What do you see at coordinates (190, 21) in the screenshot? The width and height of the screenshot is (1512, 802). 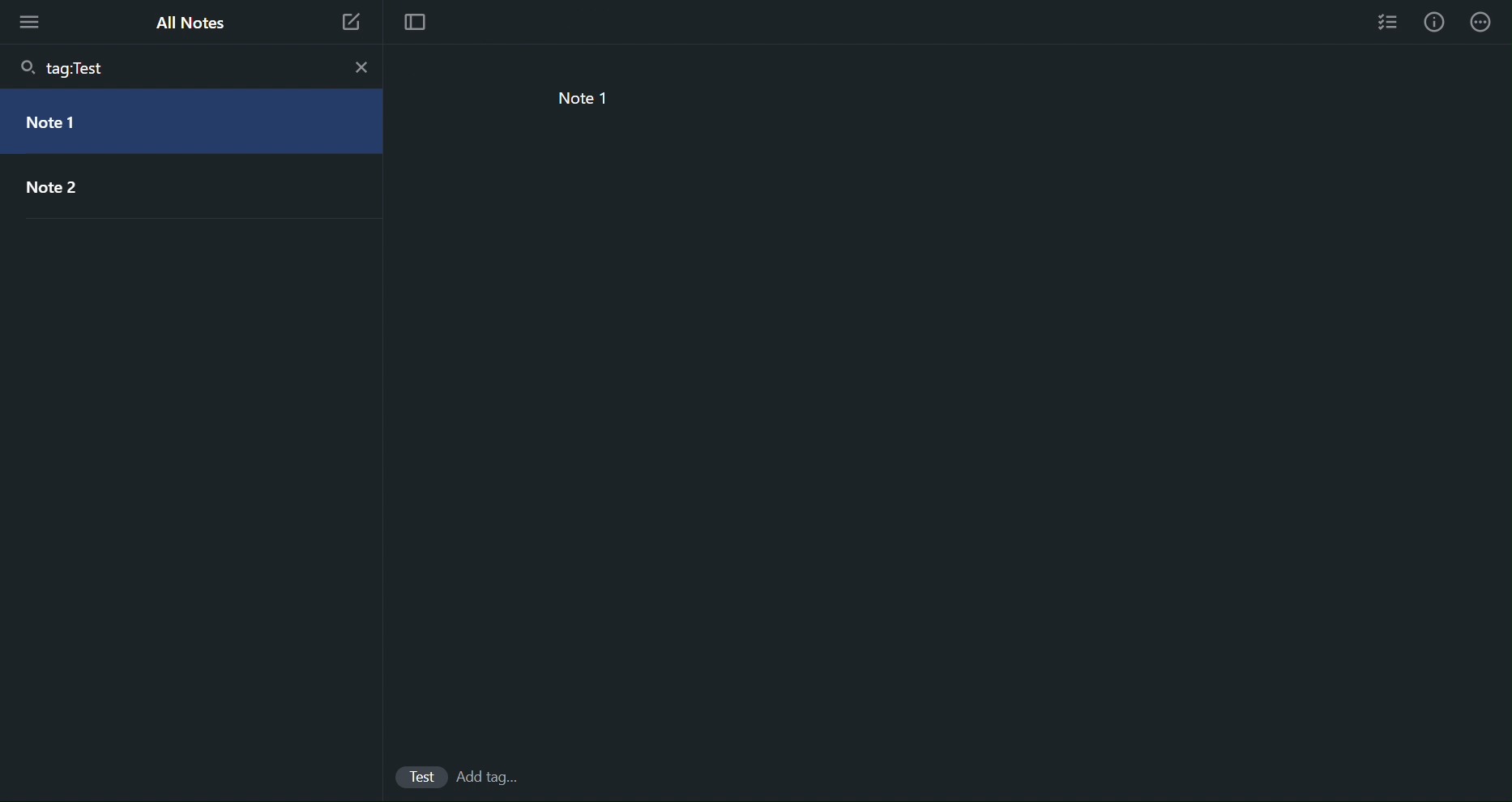 I see `All Notes` at bounding box center [190, 21].